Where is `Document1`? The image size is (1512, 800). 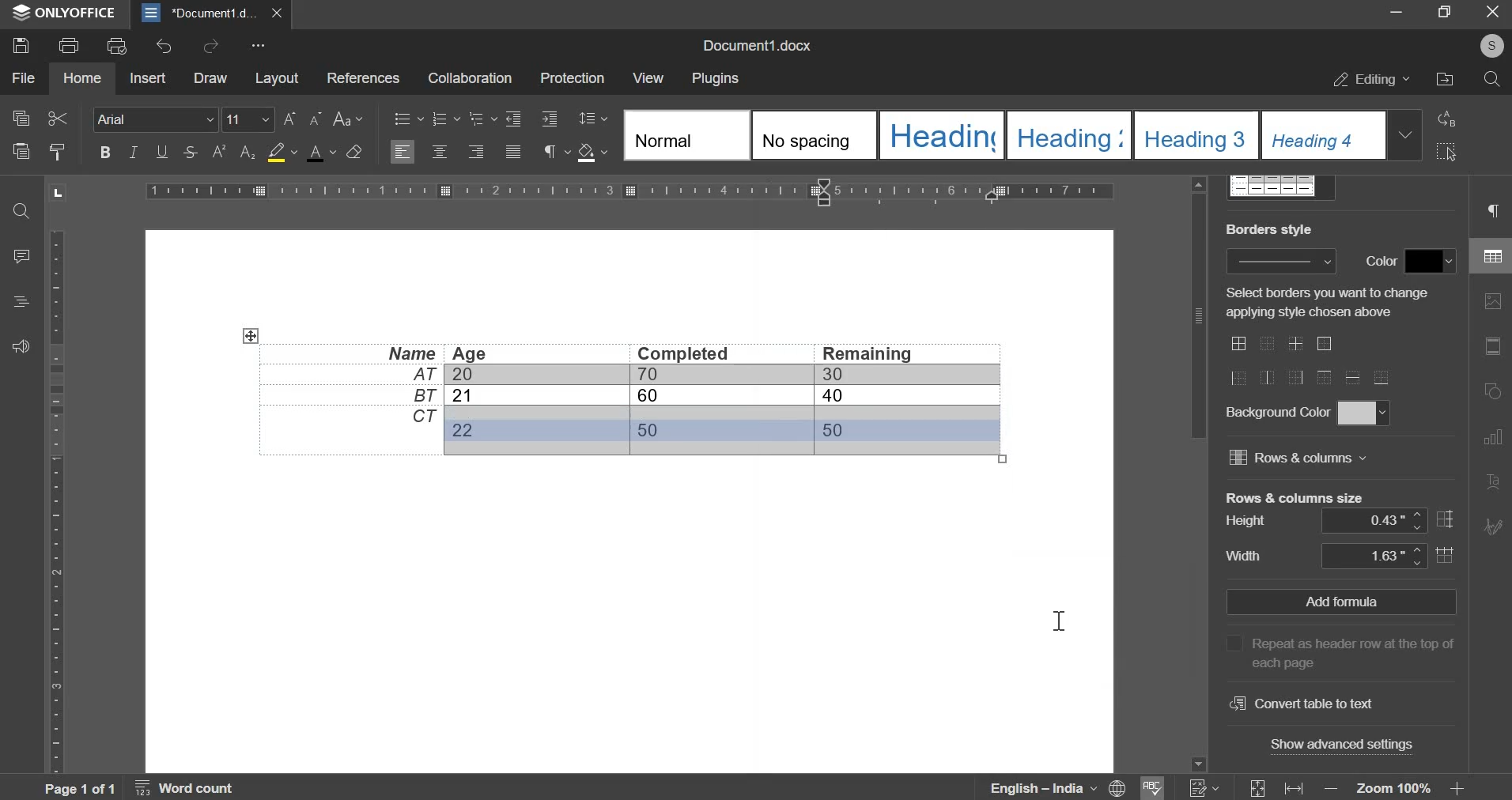 Document1 is located at coordinates (212, 15).